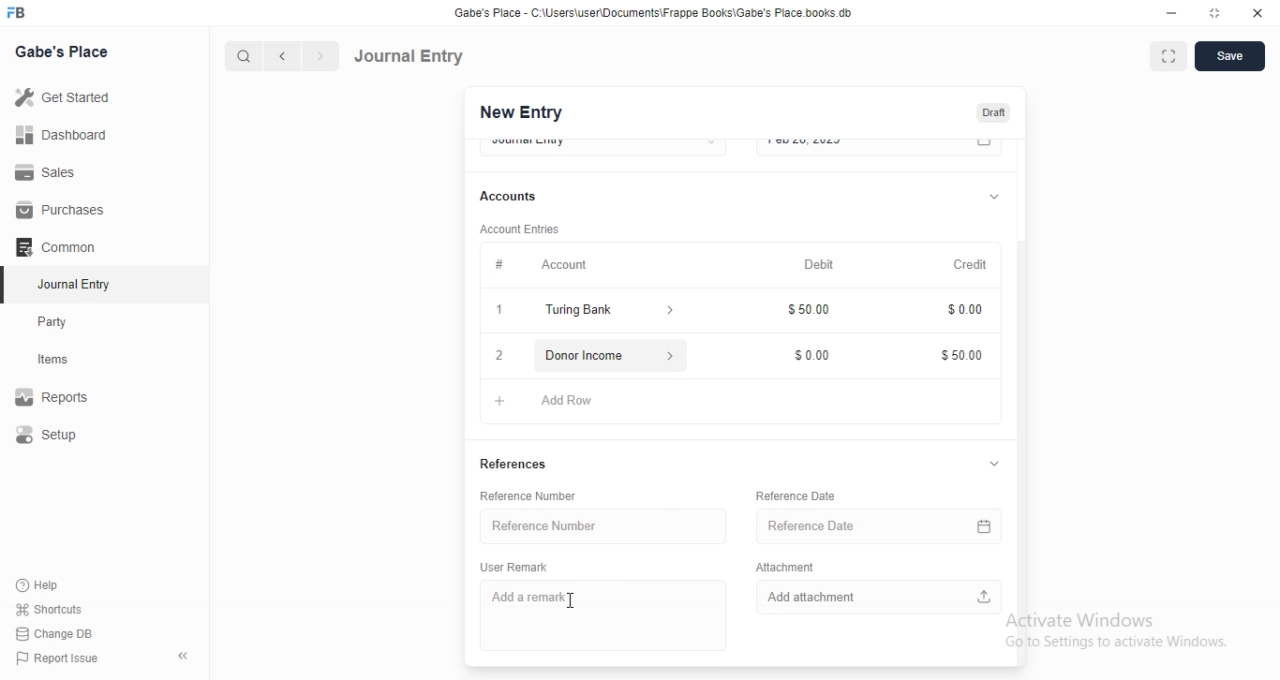 Image resolution: width=1280 pixels, height=680 pixels. What do you see at coordinates (962, 312) in the screenshot?
I see `$000` at bounding box center [962, 312].